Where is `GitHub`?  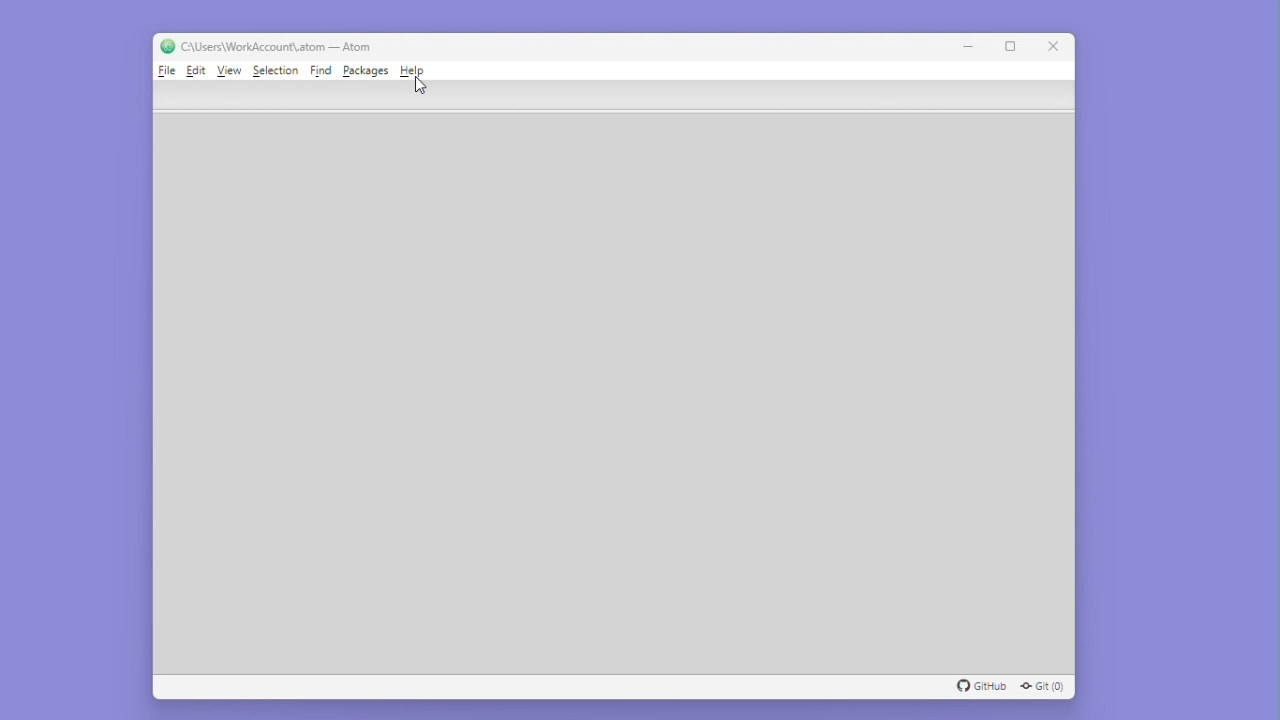 GitHub is located at coordinates (986, 686).